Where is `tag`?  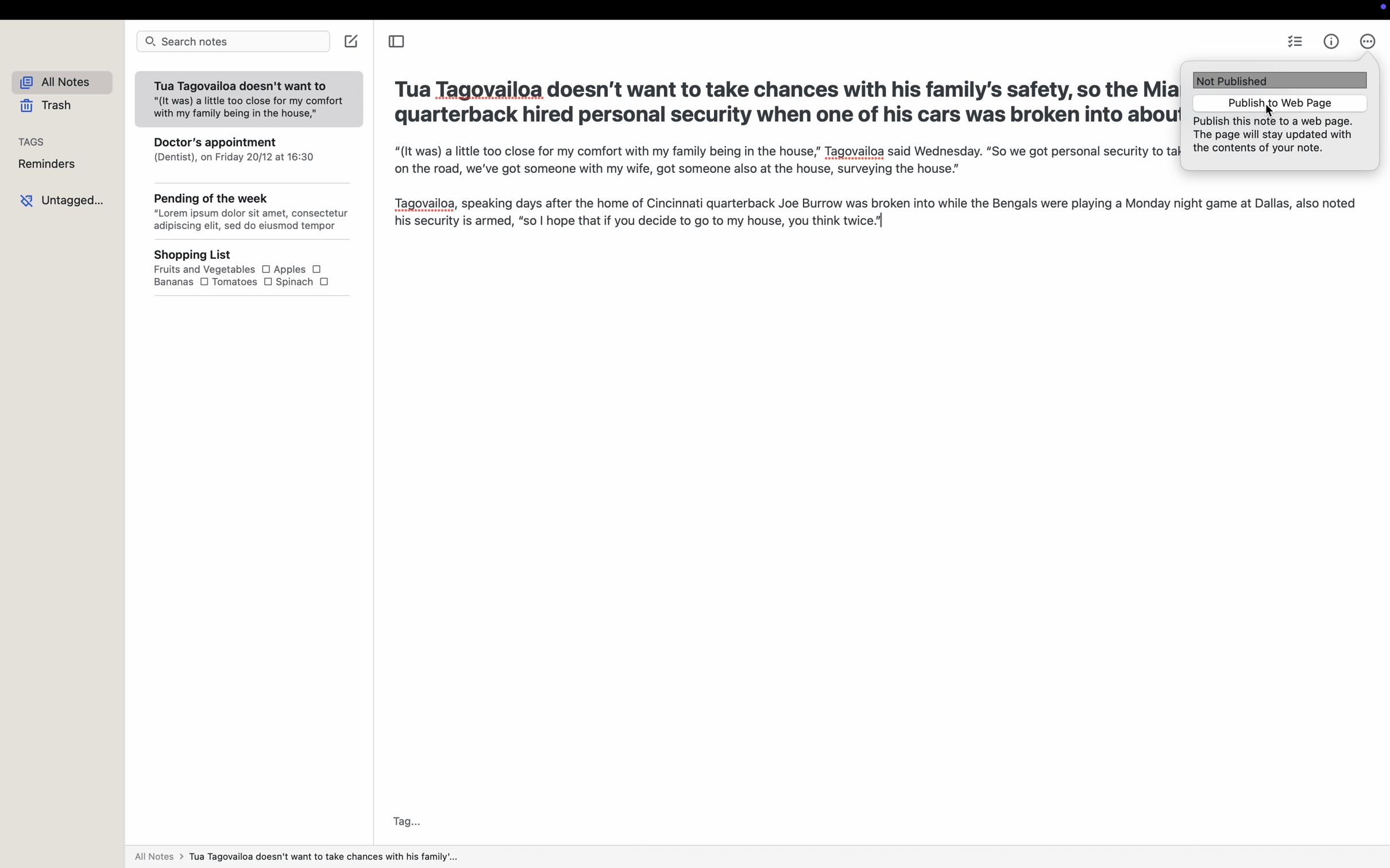 tag is located at coordinates (408, 821).